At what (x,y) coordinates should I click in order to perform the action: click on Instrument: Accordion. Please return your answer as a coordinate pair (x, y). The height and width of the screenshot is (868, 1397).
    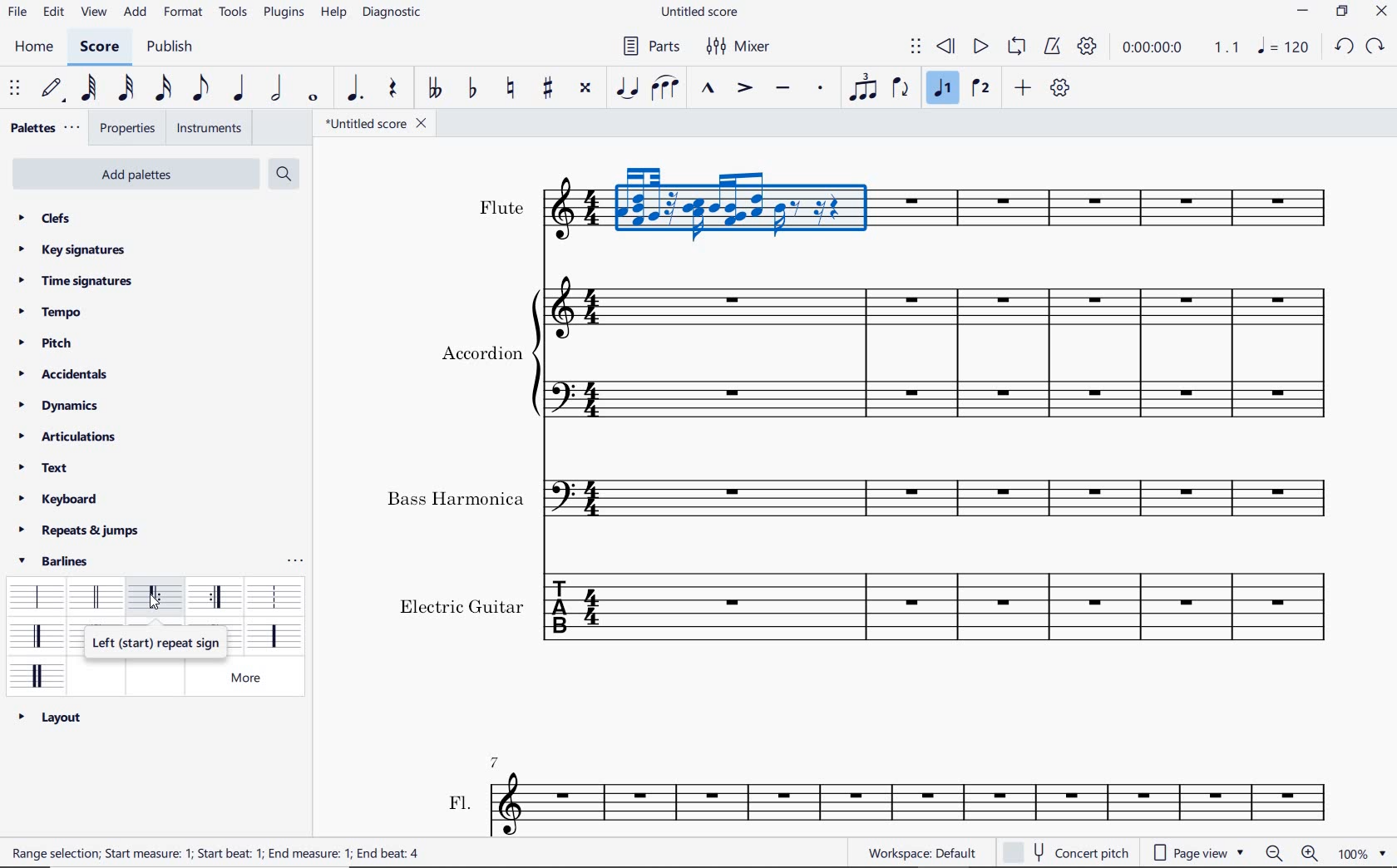
    Looking at the image, I should click on (940, 348).